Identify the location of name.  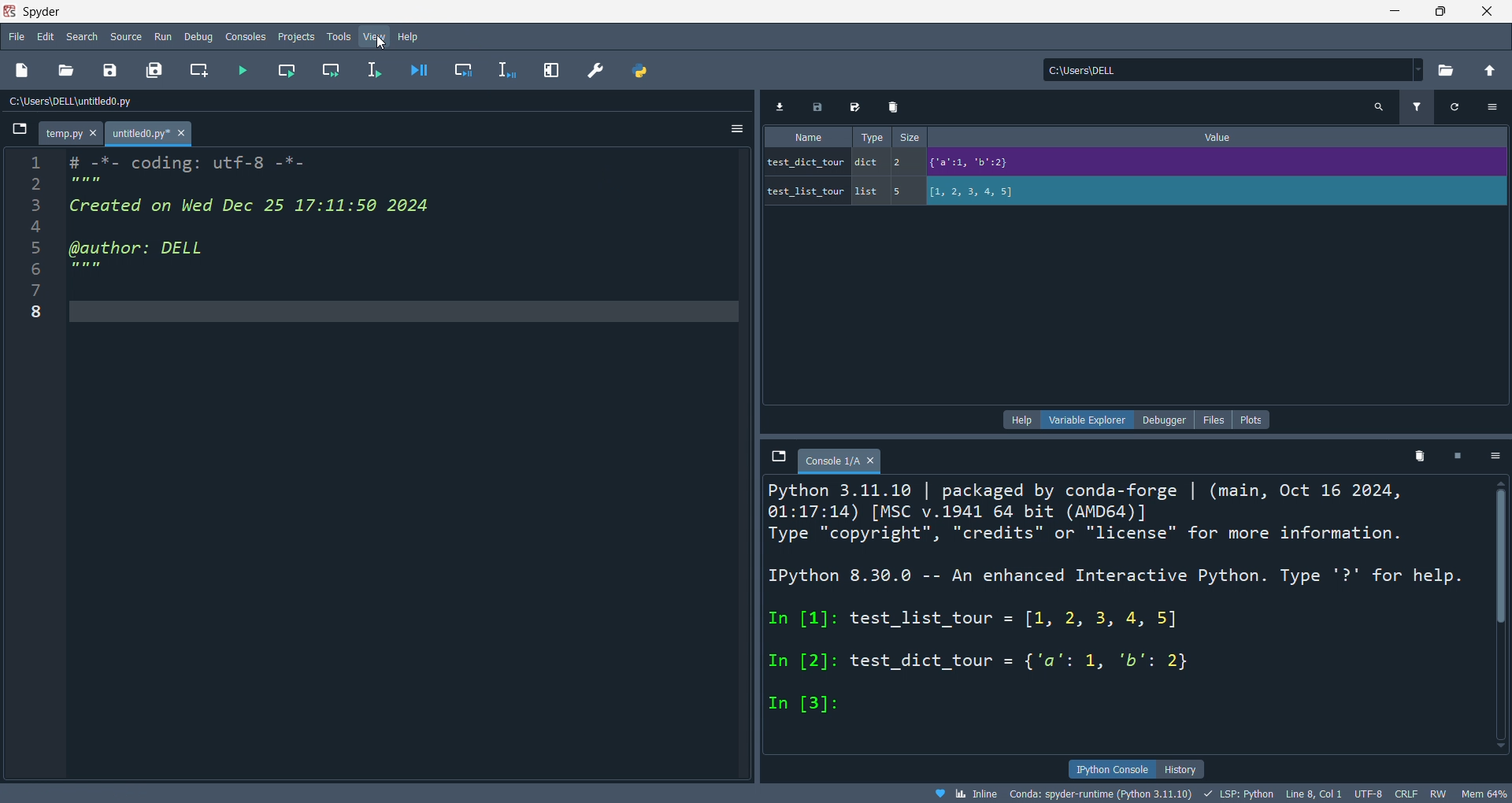
(807, 138).